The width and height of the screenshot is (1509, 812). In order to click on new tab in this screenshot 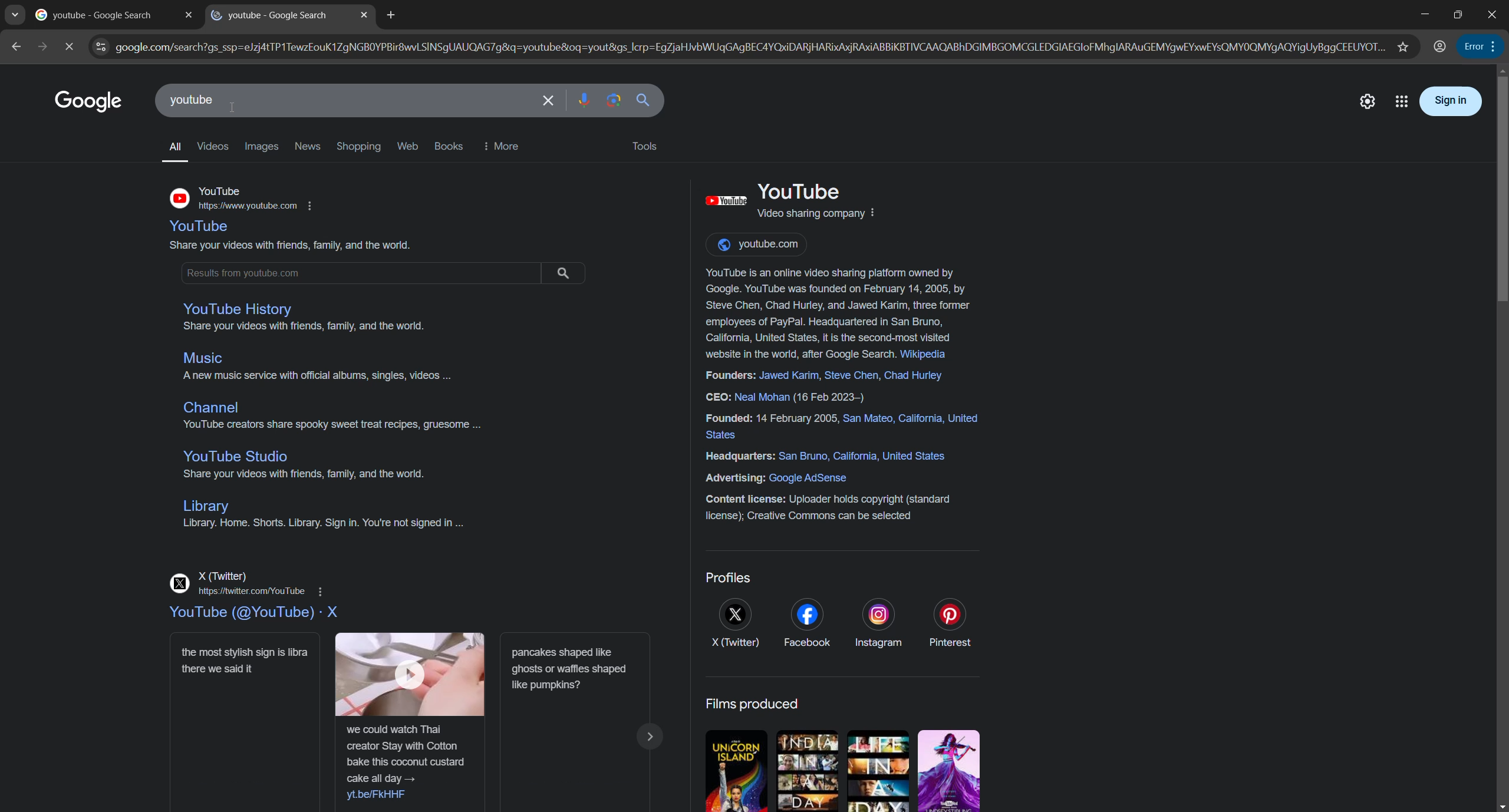, I will do `click(393, 15)`.